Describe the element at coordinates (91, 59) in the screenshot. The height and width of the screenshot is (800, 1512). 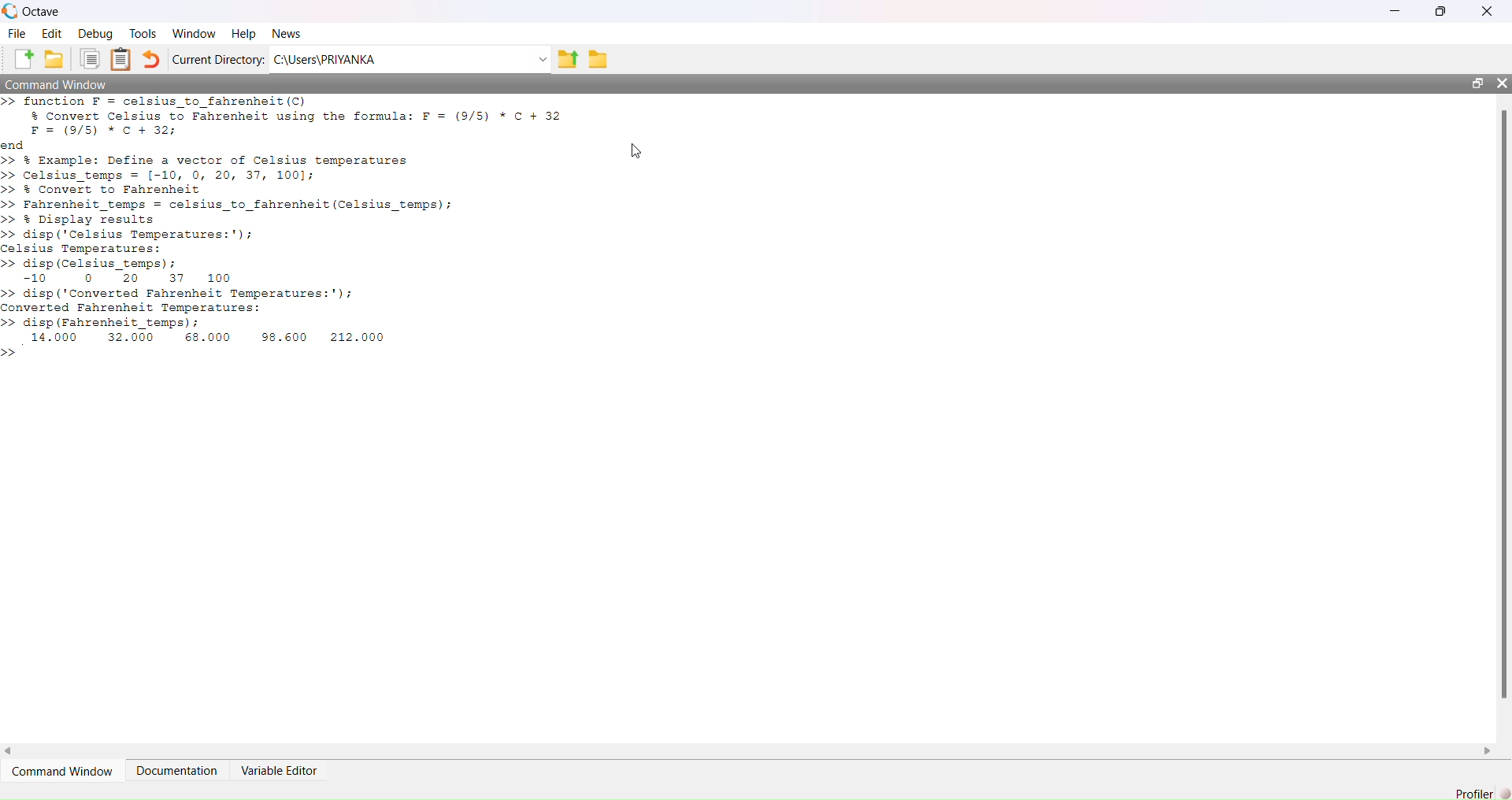
I see `Copy` at that location.